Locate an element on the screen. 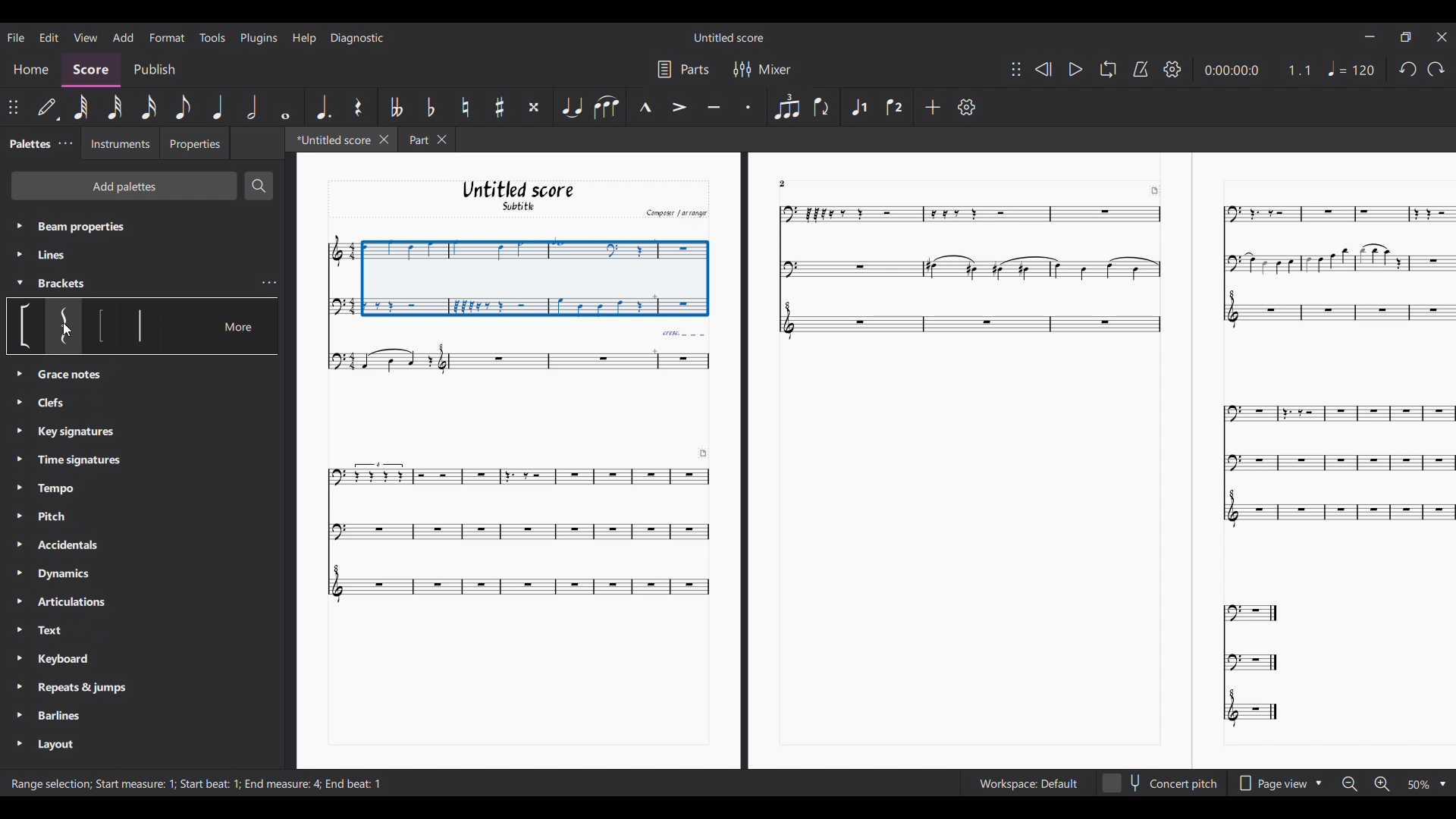 The image size is (1456, 819). Pitch is located at coordinates (61, 518).